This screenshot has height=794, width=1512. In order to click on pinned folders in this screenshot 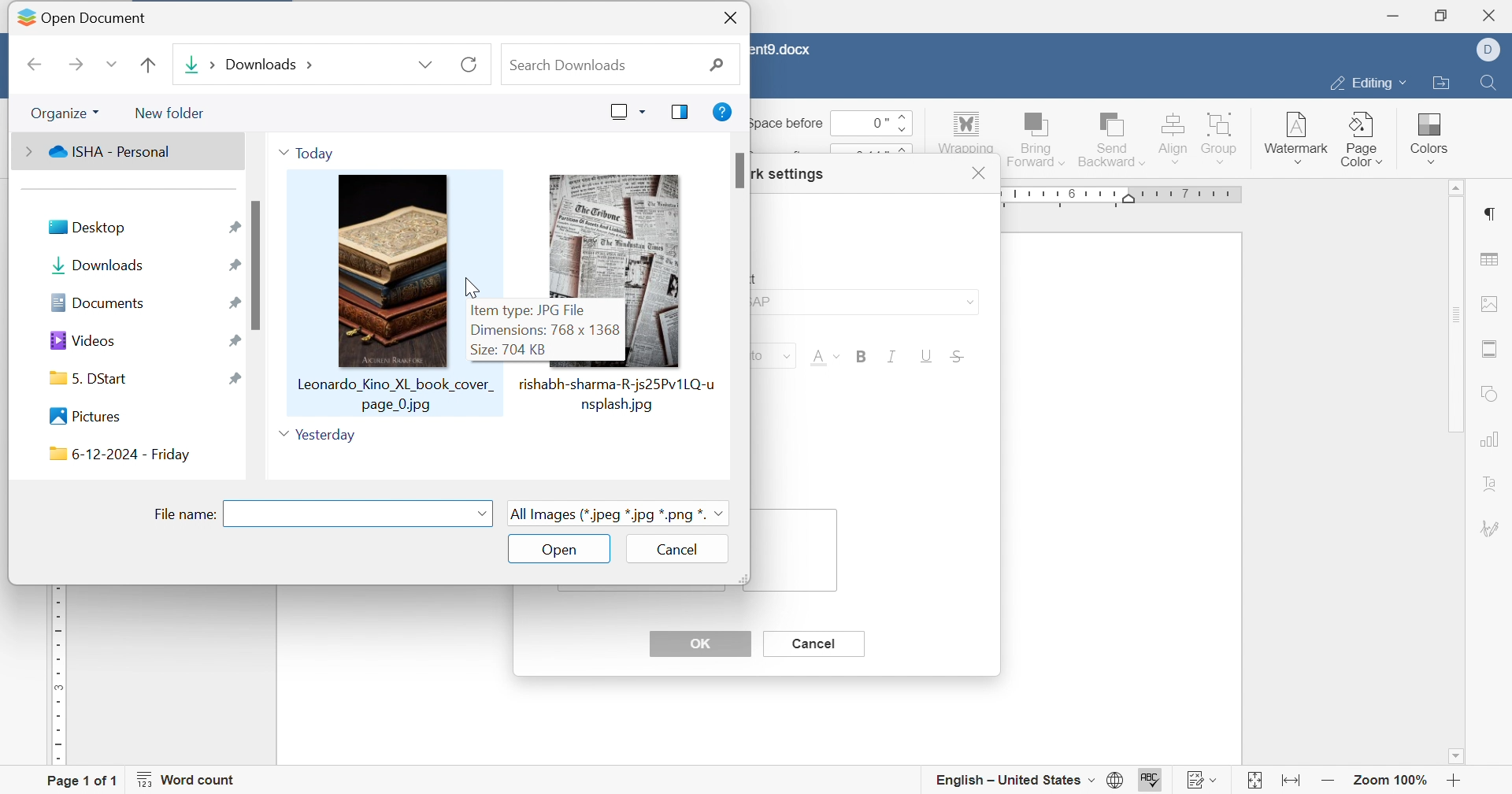, I will do `click(232, 305)`.